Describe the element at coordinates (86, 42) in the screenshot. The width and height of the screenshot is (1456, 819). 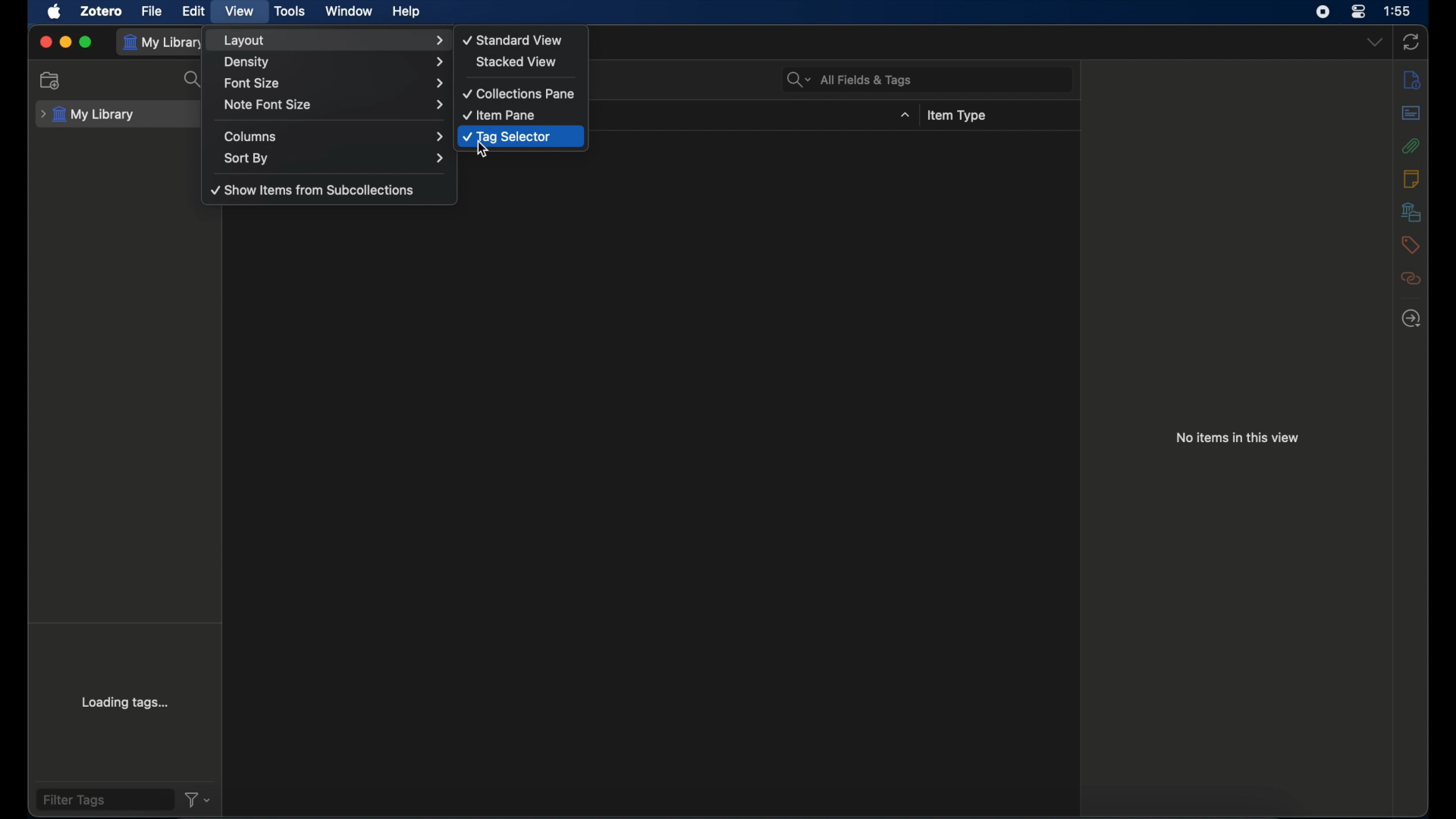
I see `maximize` at that location.